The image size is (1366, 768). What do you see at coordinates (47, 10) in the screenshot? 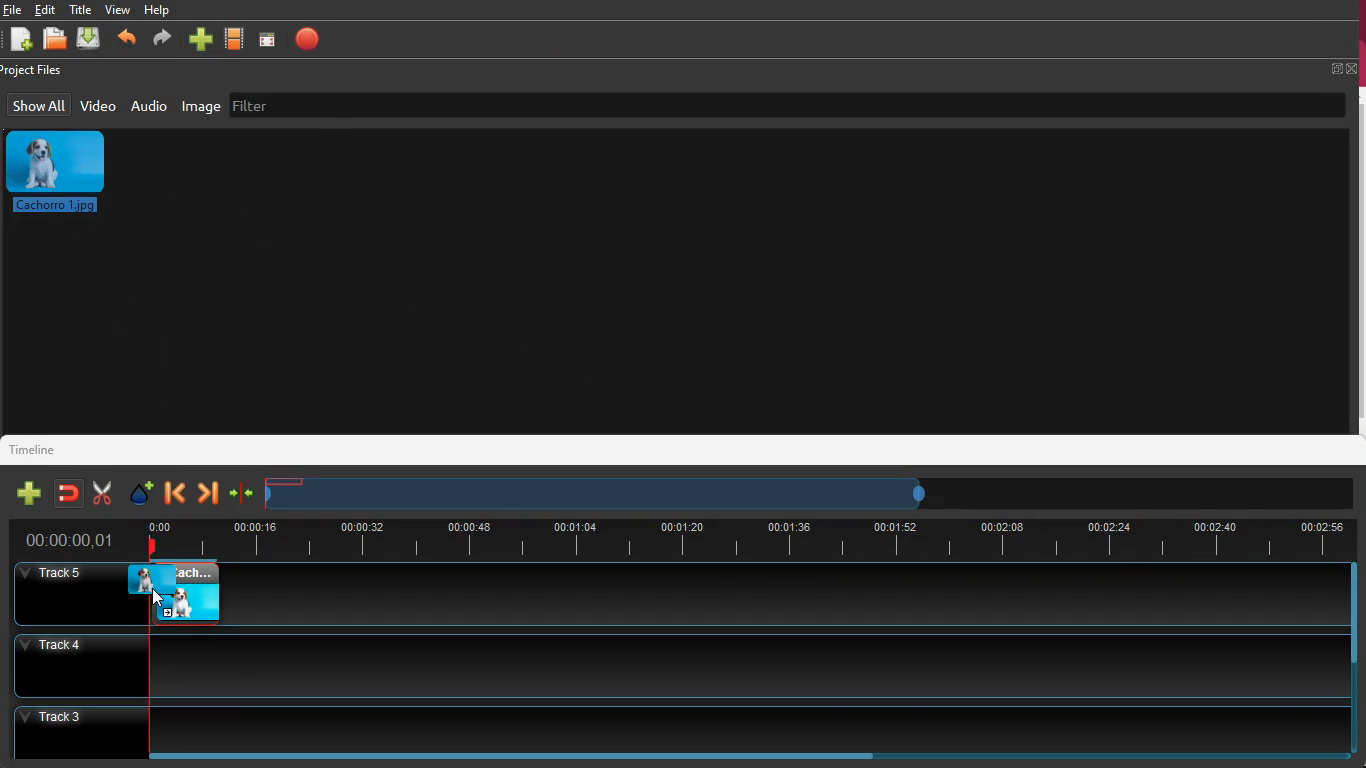
I see `edit` at bounding box center [47, 10].